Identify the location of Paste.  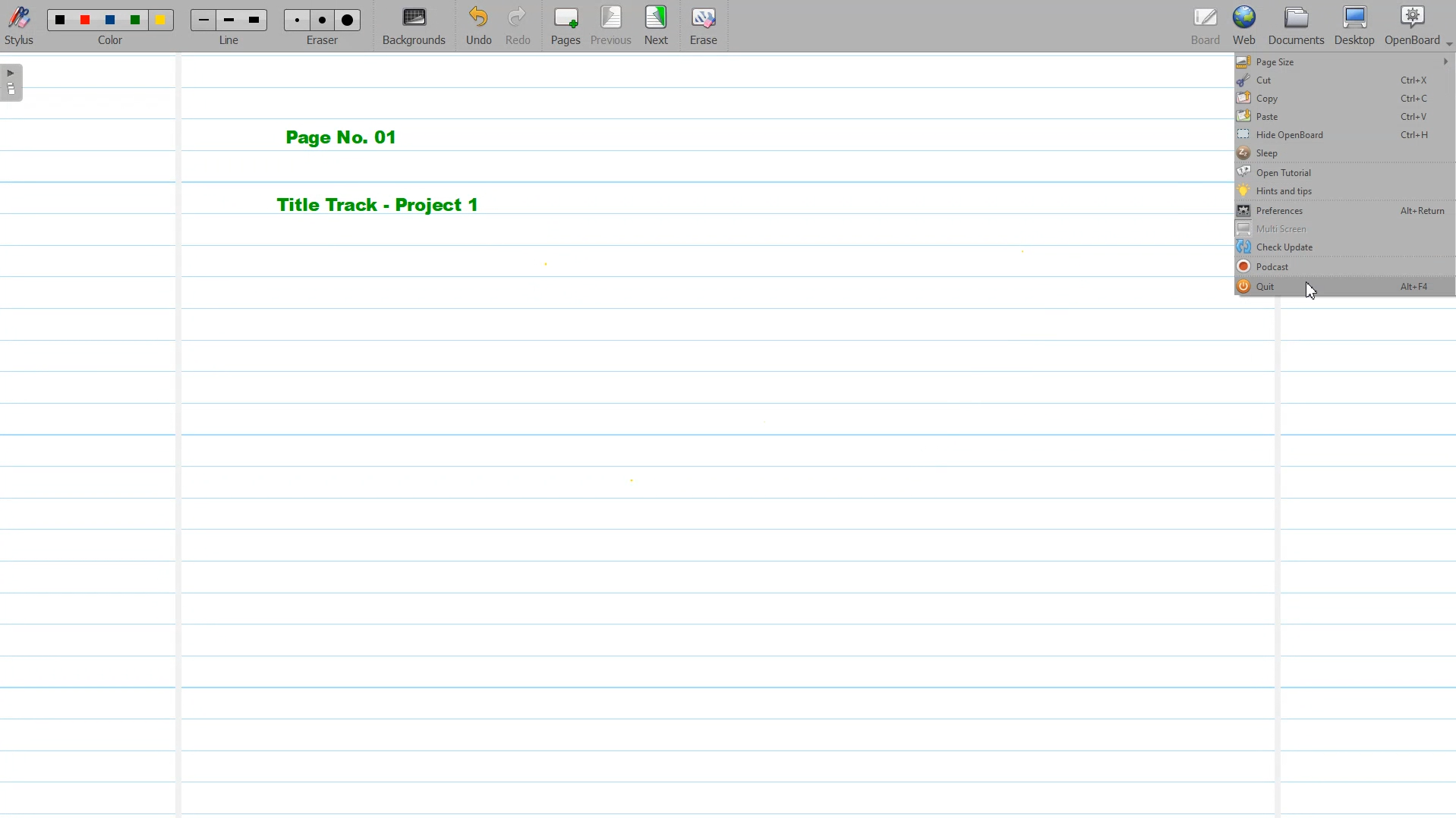
(1345, 116).